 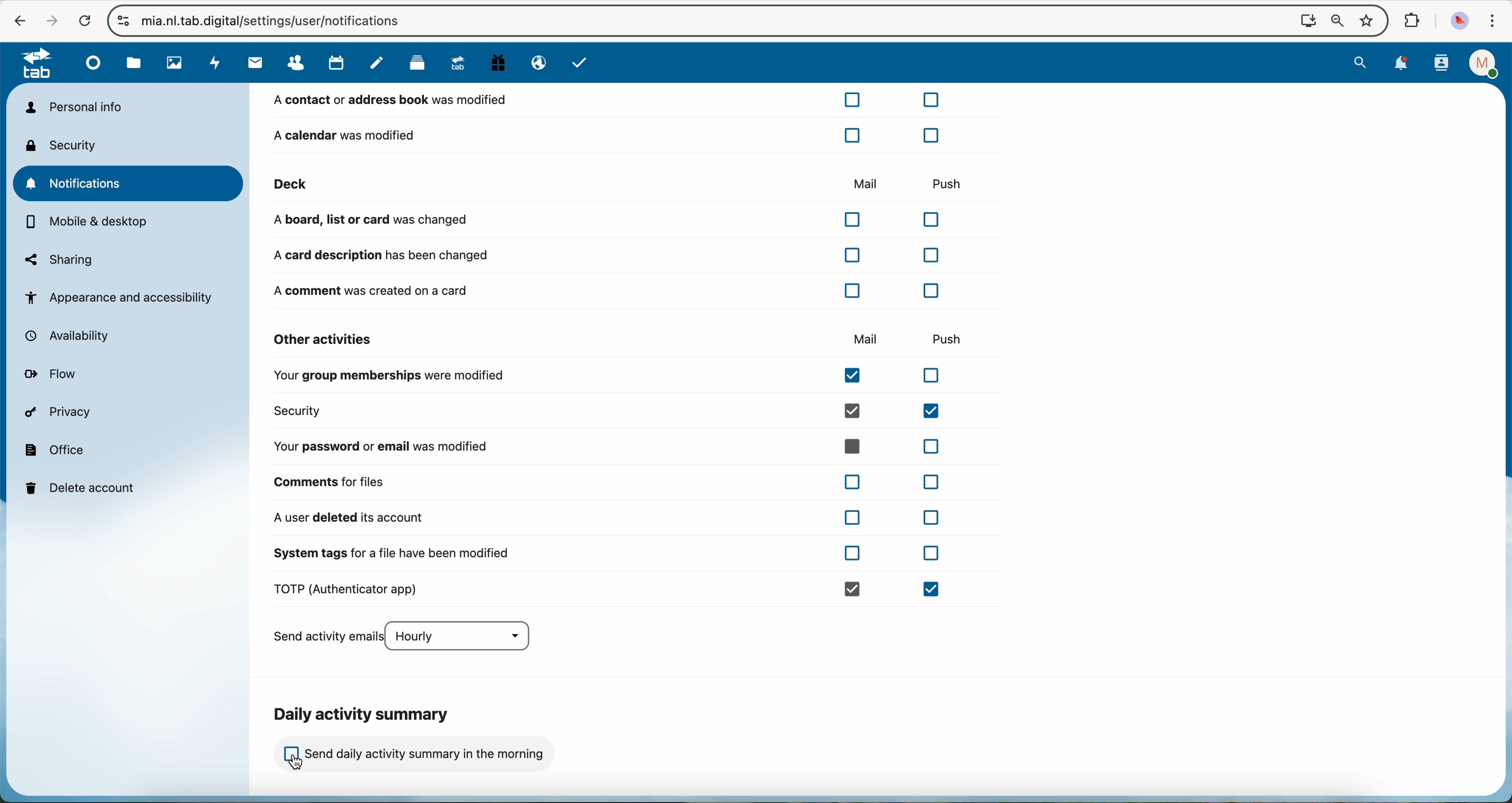 I want to click on a contact or address book was modified, so click(x=609, y=103).